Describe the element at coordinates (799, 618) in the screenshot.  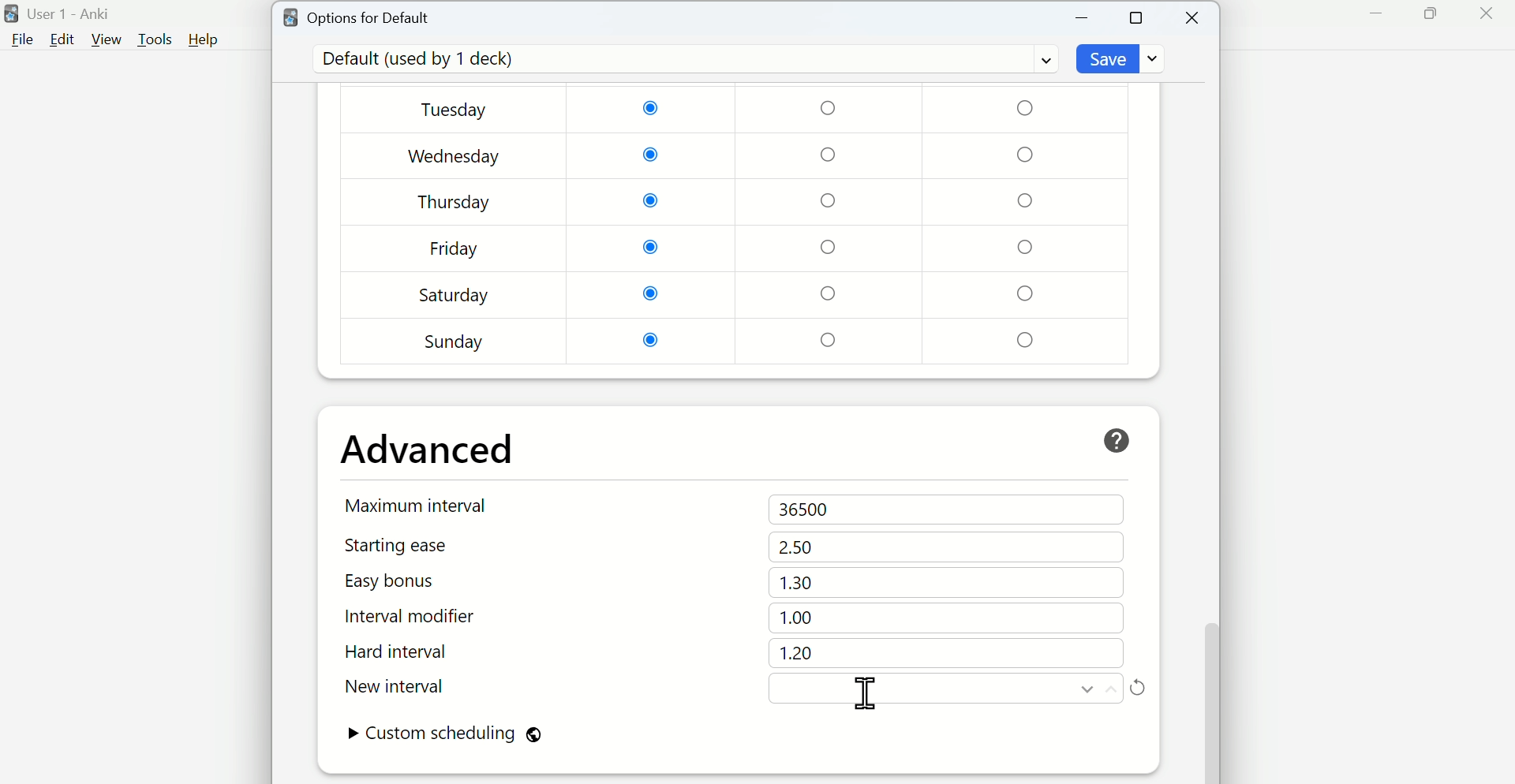
I see `1.00` at that location.